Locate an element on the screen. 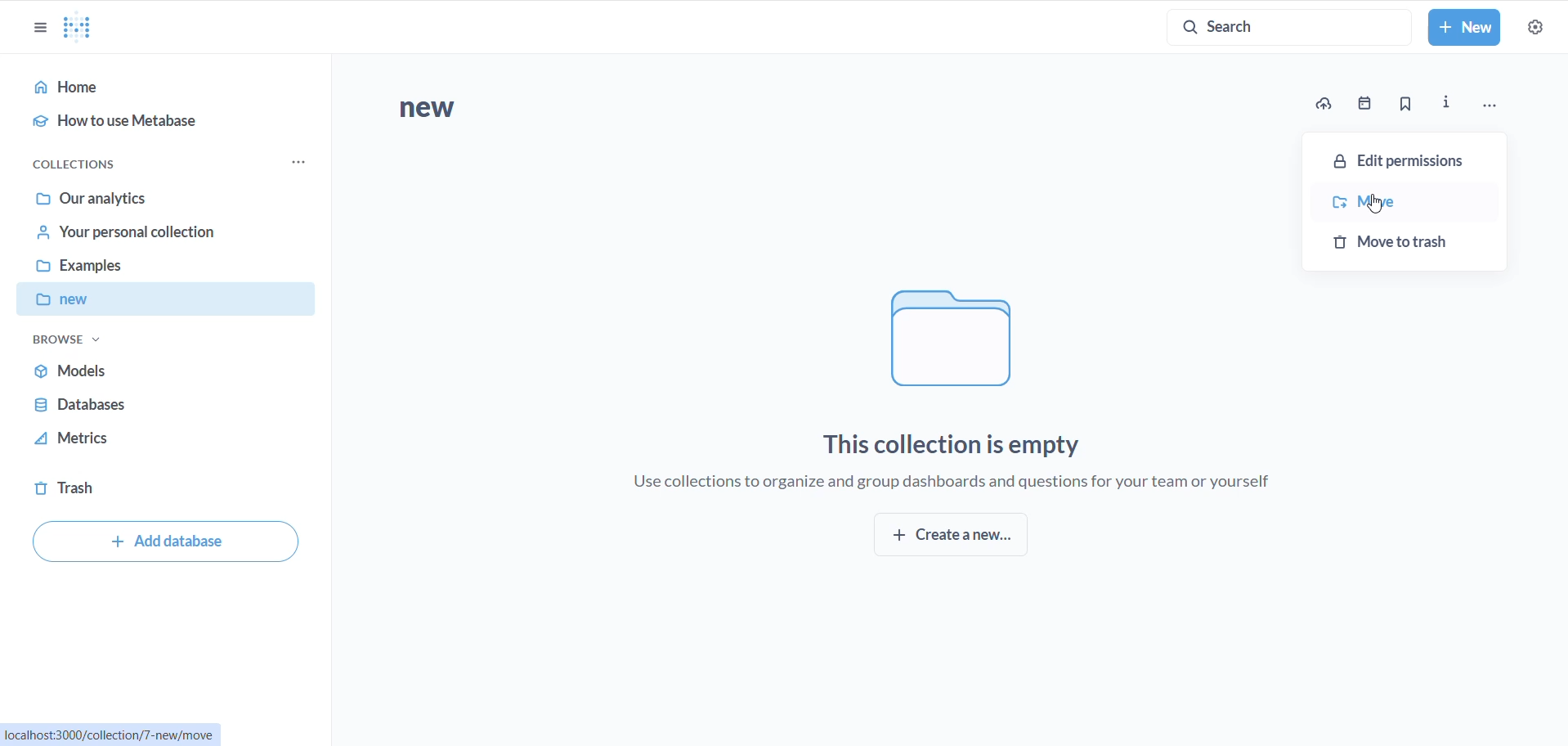  trash is located at coordinates (80, 490).